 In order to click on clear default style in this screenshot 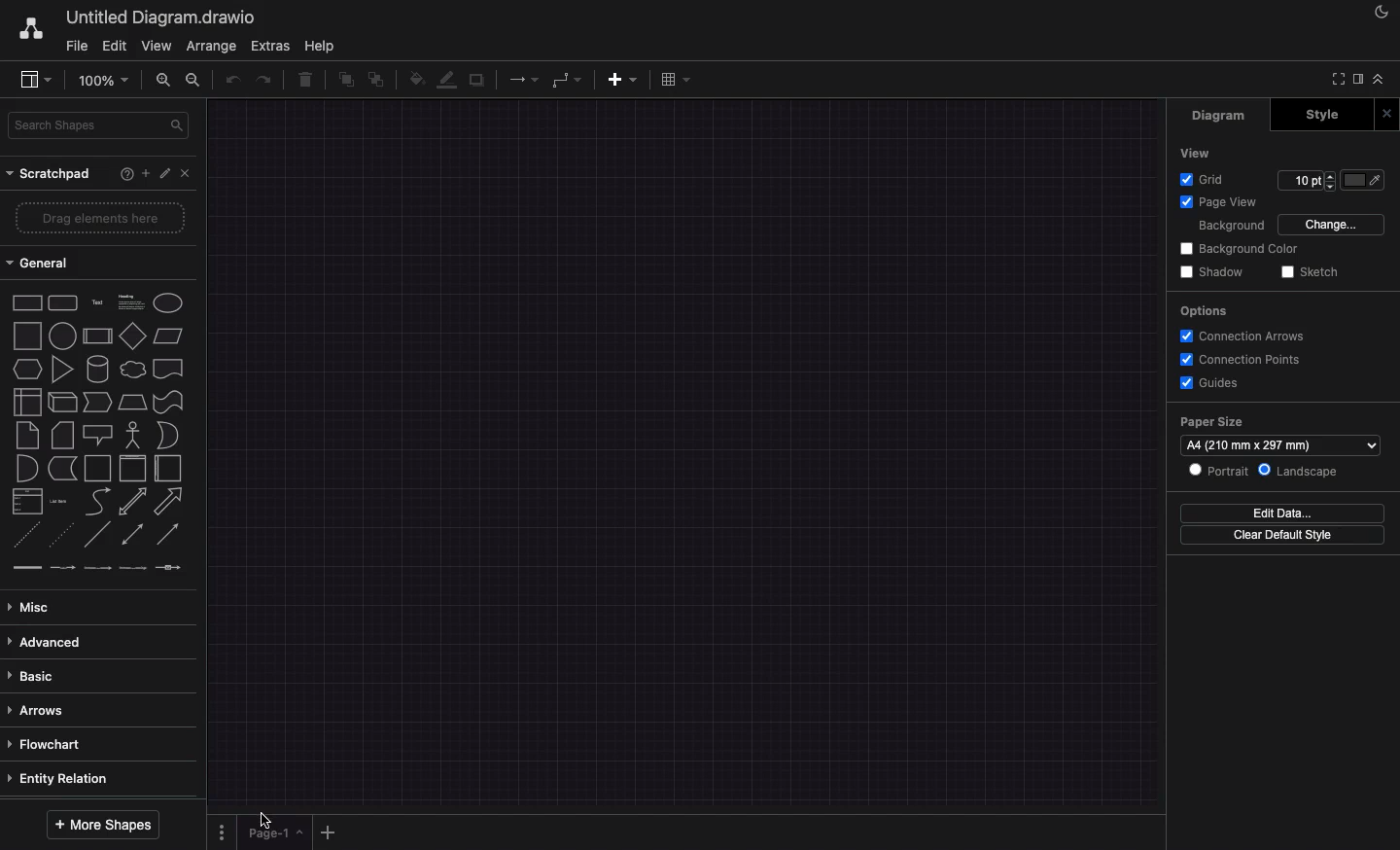, I will do `click(1282, 535)`.